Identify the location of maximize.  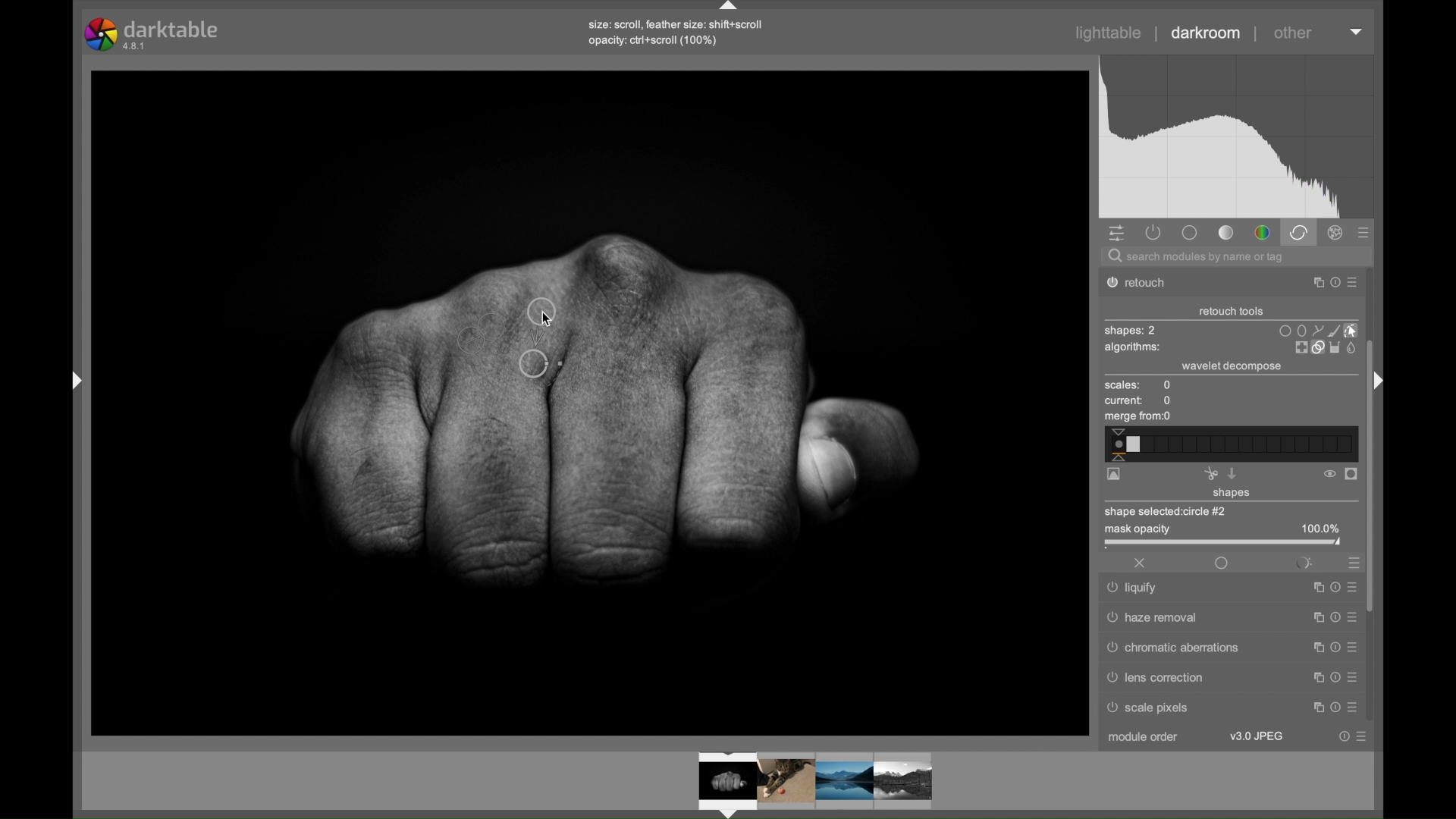
(1312, 283).